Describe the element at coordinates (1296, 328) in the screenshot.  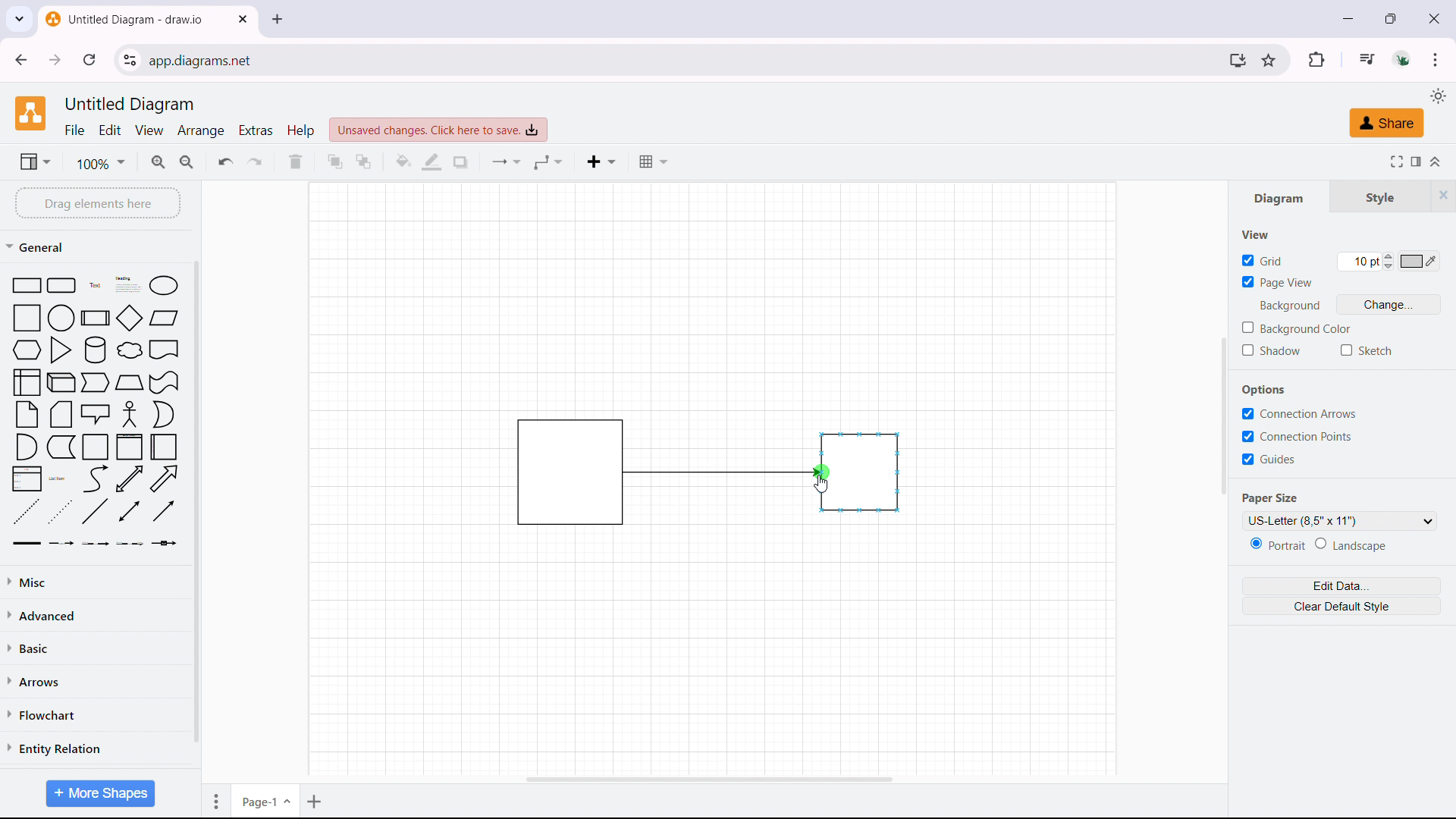
I see `background color` at that location.